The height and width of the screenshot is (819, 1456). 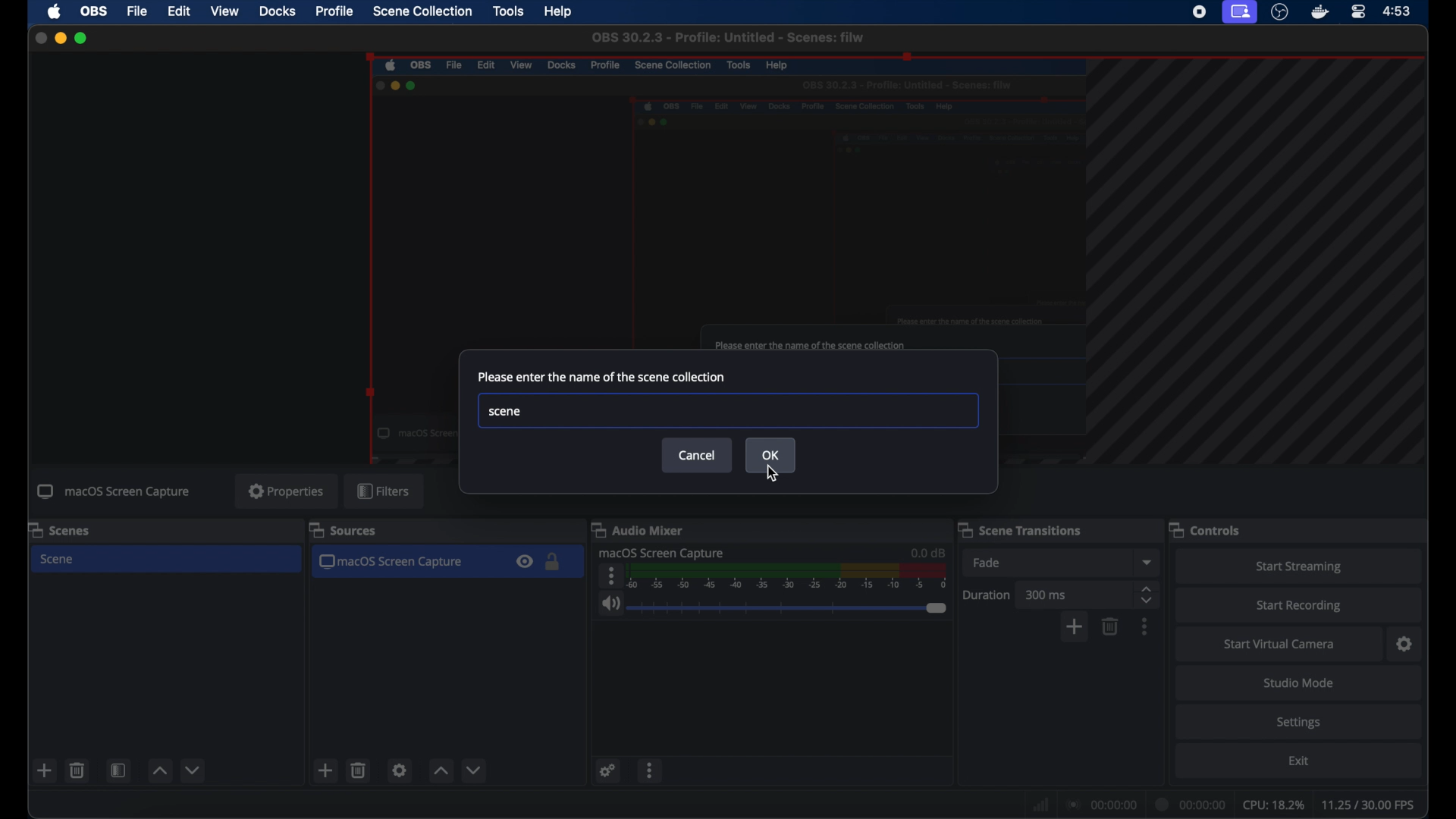 What do you see at coordinates (525, 563) in the screenshot?
I see `visibility` at bounding box center [525, 563].